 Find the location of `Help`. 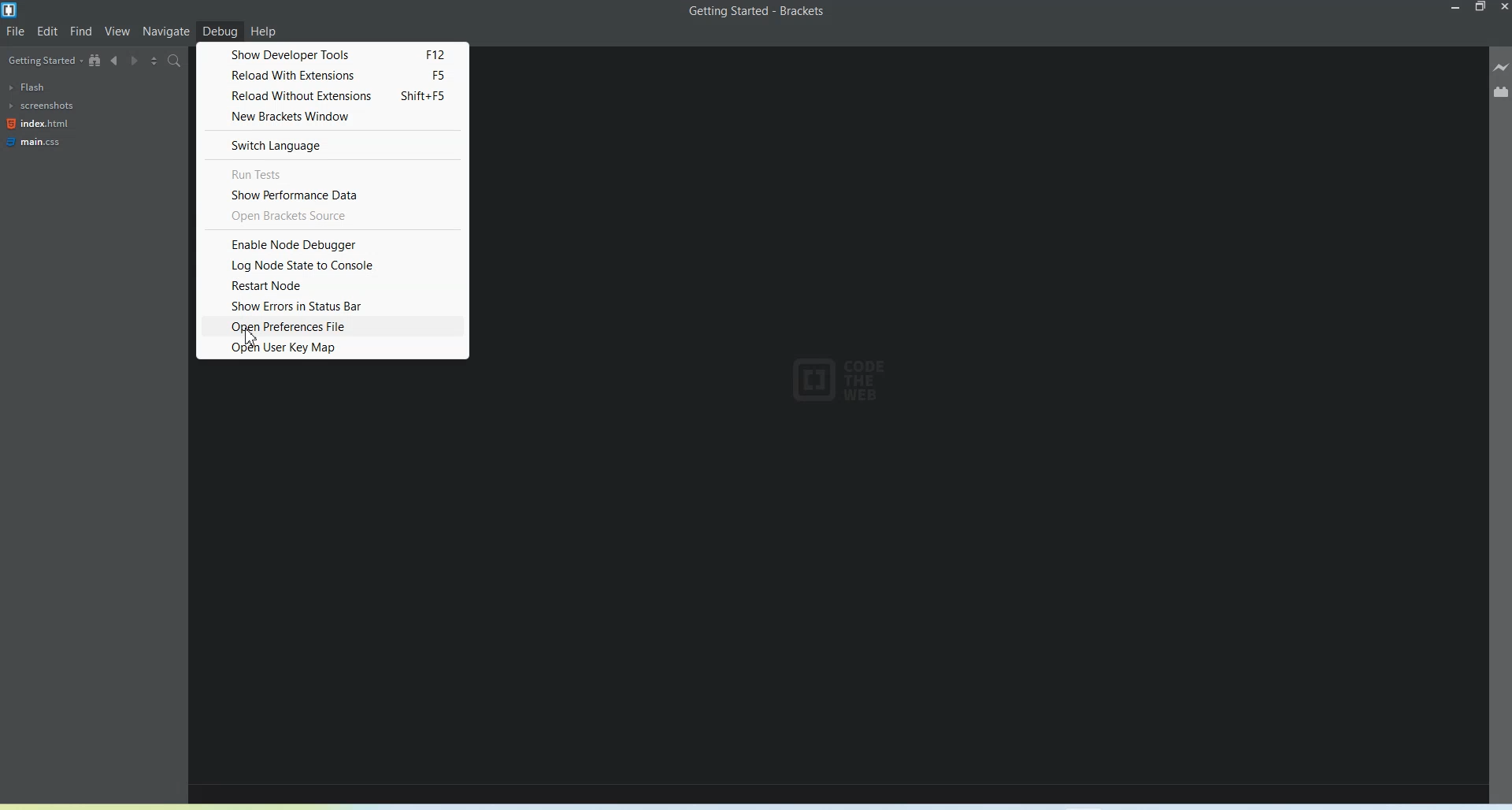

Help is located at coordinates (263, 31).